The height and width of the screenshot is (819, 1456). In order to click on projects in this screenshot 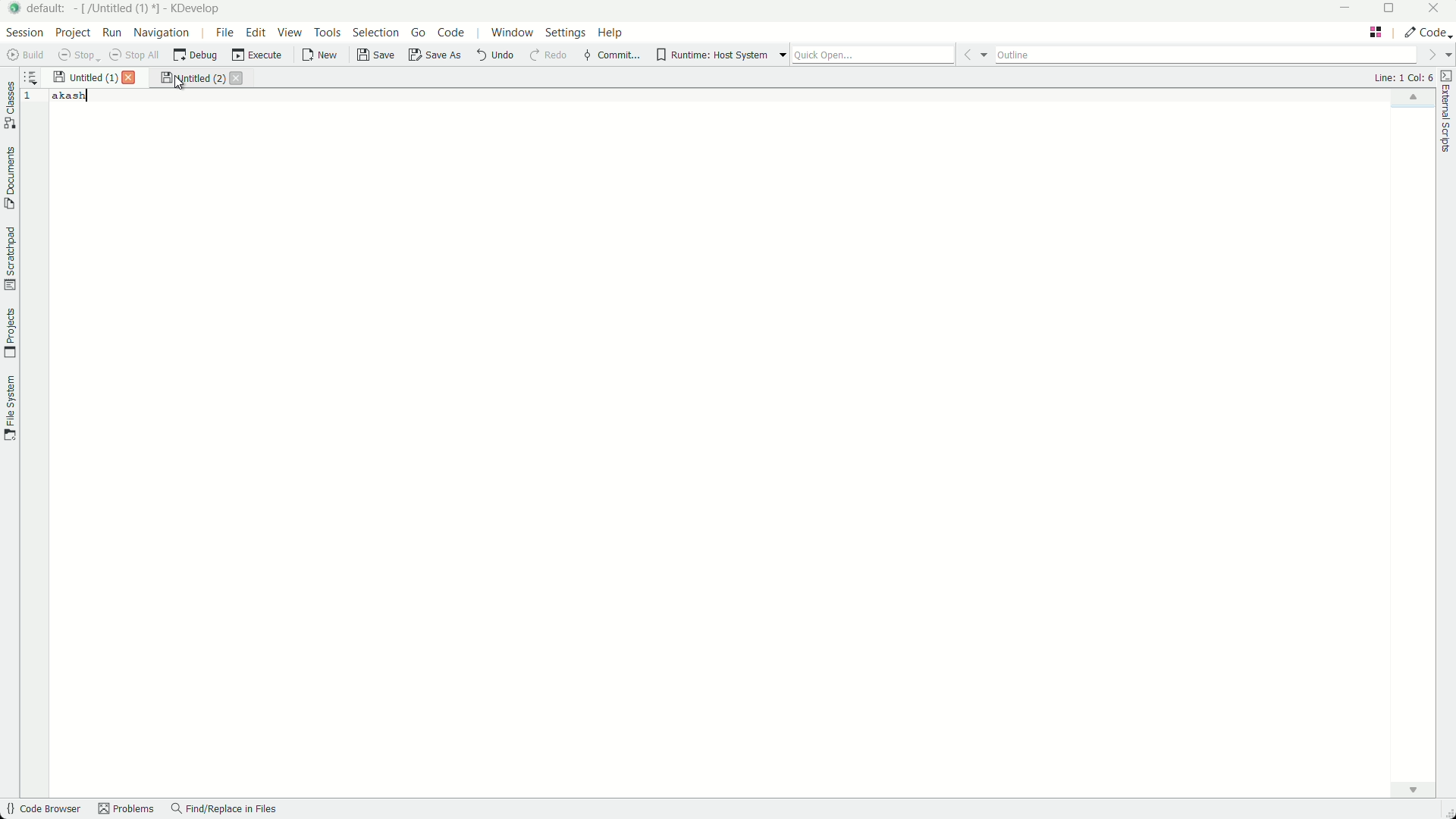, I will do `click(11, 333)`.